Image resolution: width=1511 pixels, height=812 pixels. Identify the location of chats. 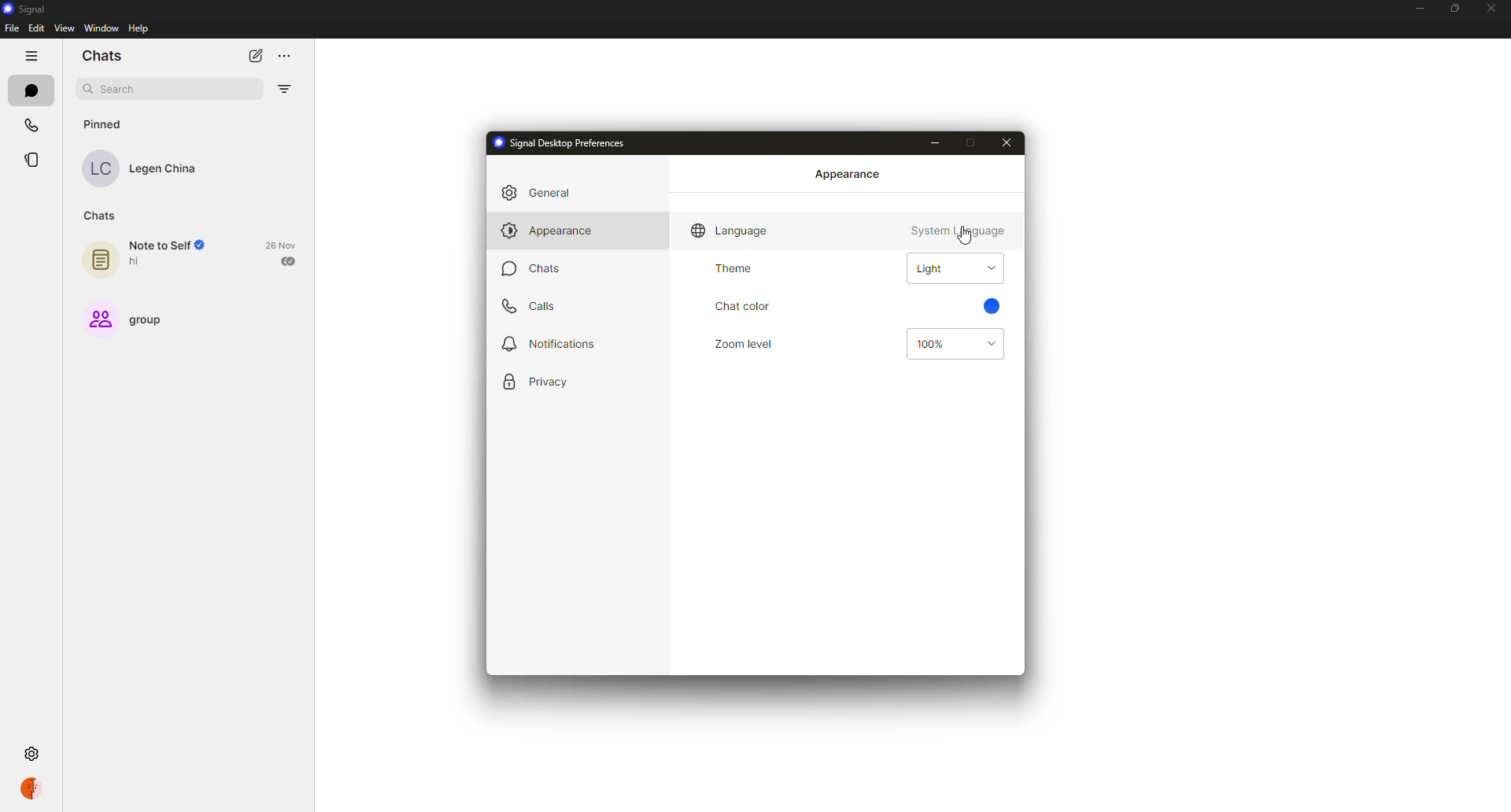
(100, 216).